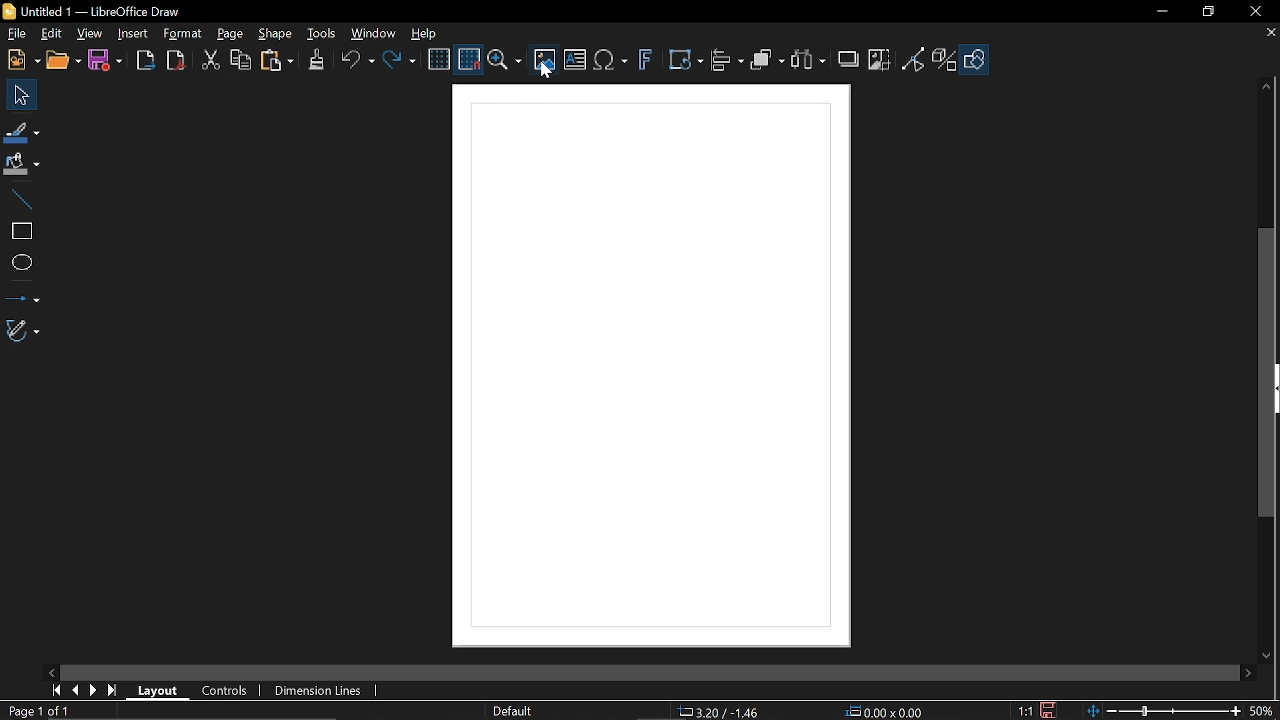  Describe the element at coordinates (1027, 711) in the screenshot. I see `Scaling factor of the document` at that location.